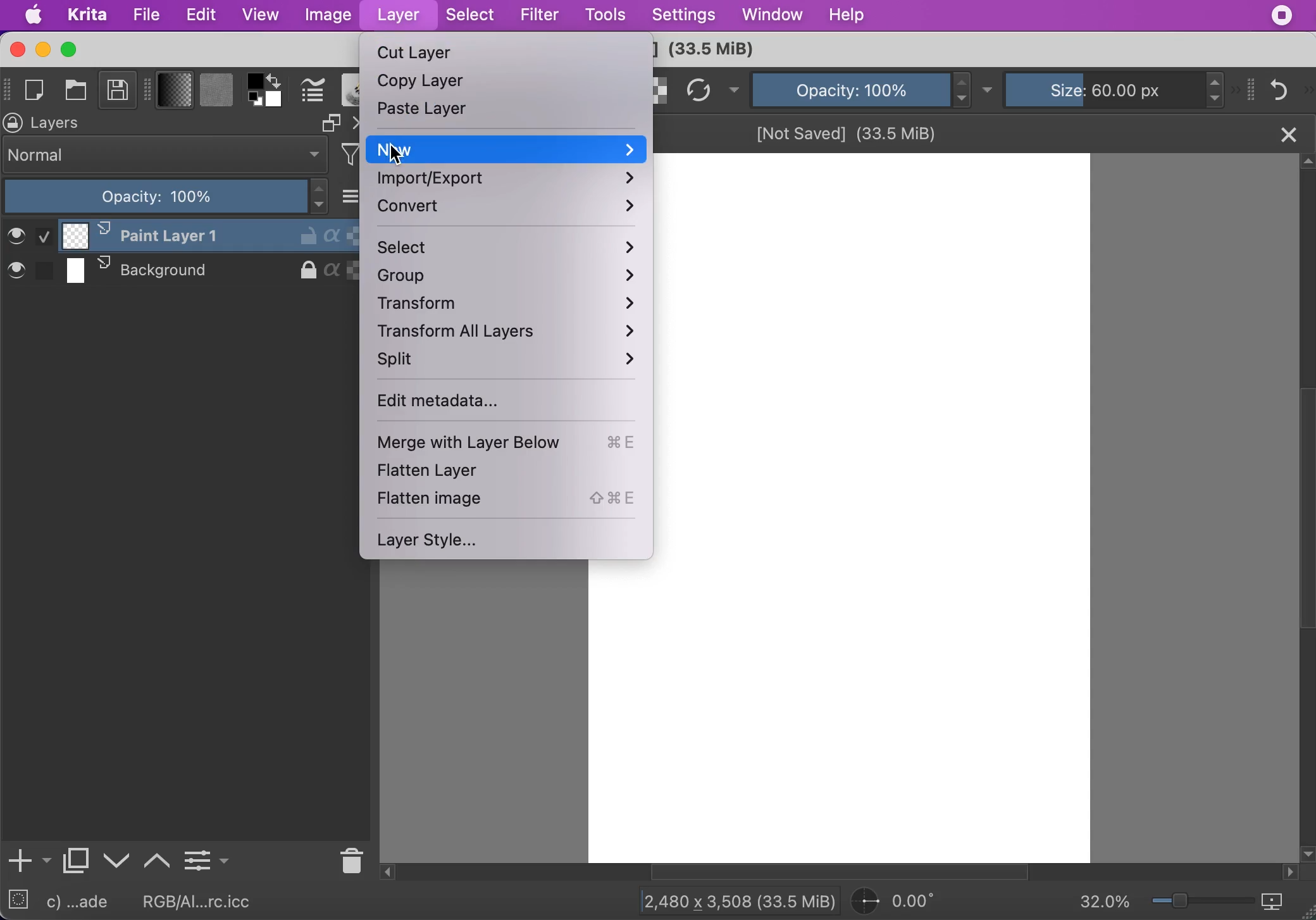  I want to click on float docker, so click(330, 123).